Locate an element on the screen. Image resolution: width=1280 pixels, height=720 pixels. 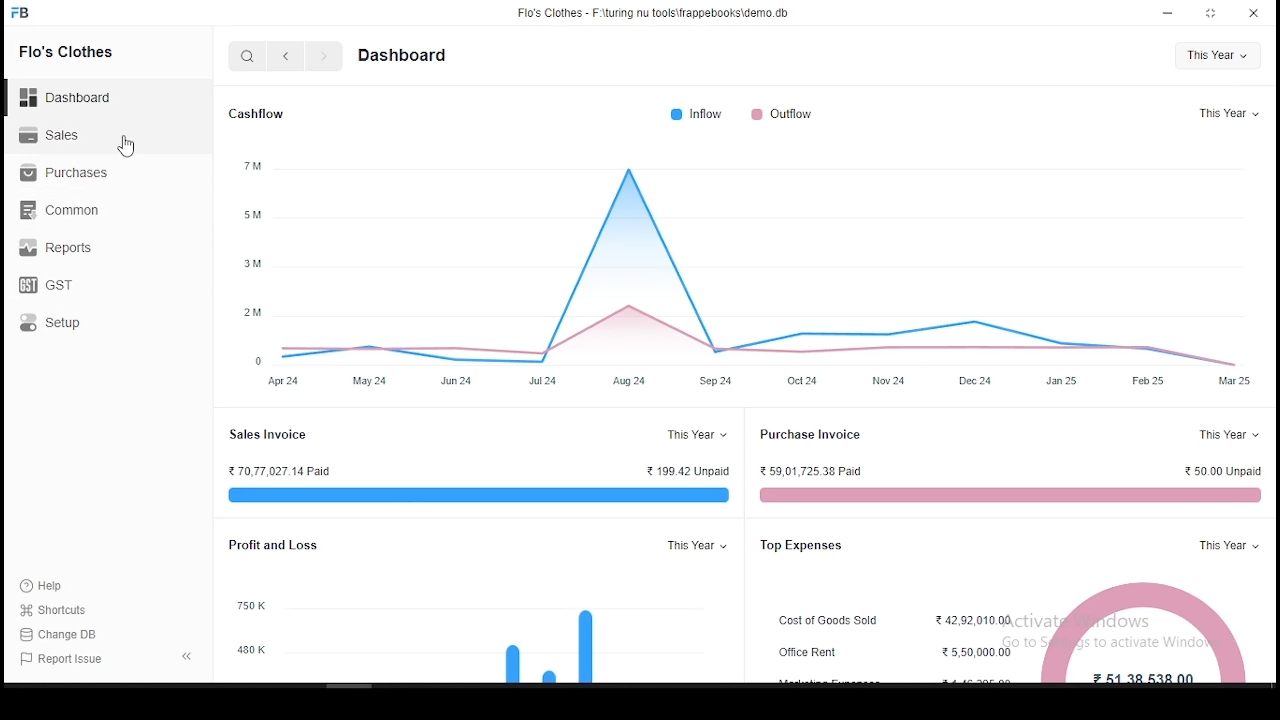
minimize is located at coordinates (1163, 13).